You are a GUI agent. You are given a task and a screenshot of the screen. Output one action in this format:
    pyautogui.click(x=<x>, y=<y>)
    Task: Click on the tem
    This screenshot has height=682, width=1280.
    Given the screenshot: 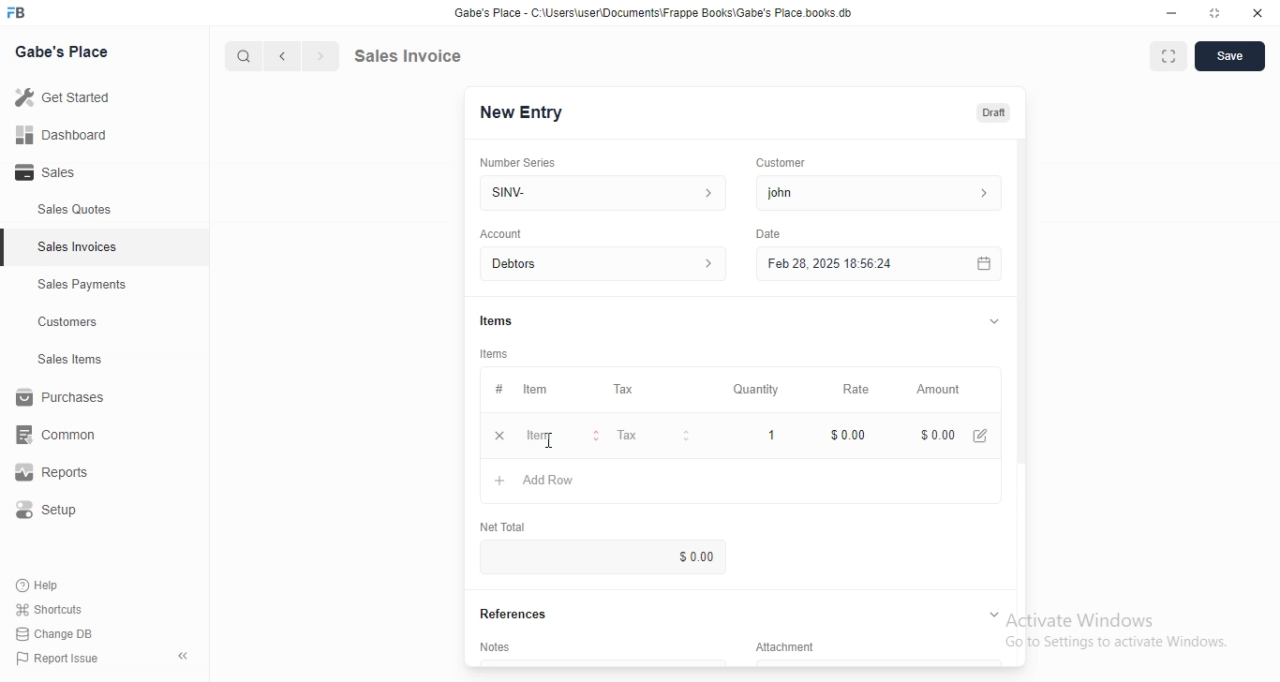 What is the action you would take?
    pyautogui.click(x=541, y=389)
    